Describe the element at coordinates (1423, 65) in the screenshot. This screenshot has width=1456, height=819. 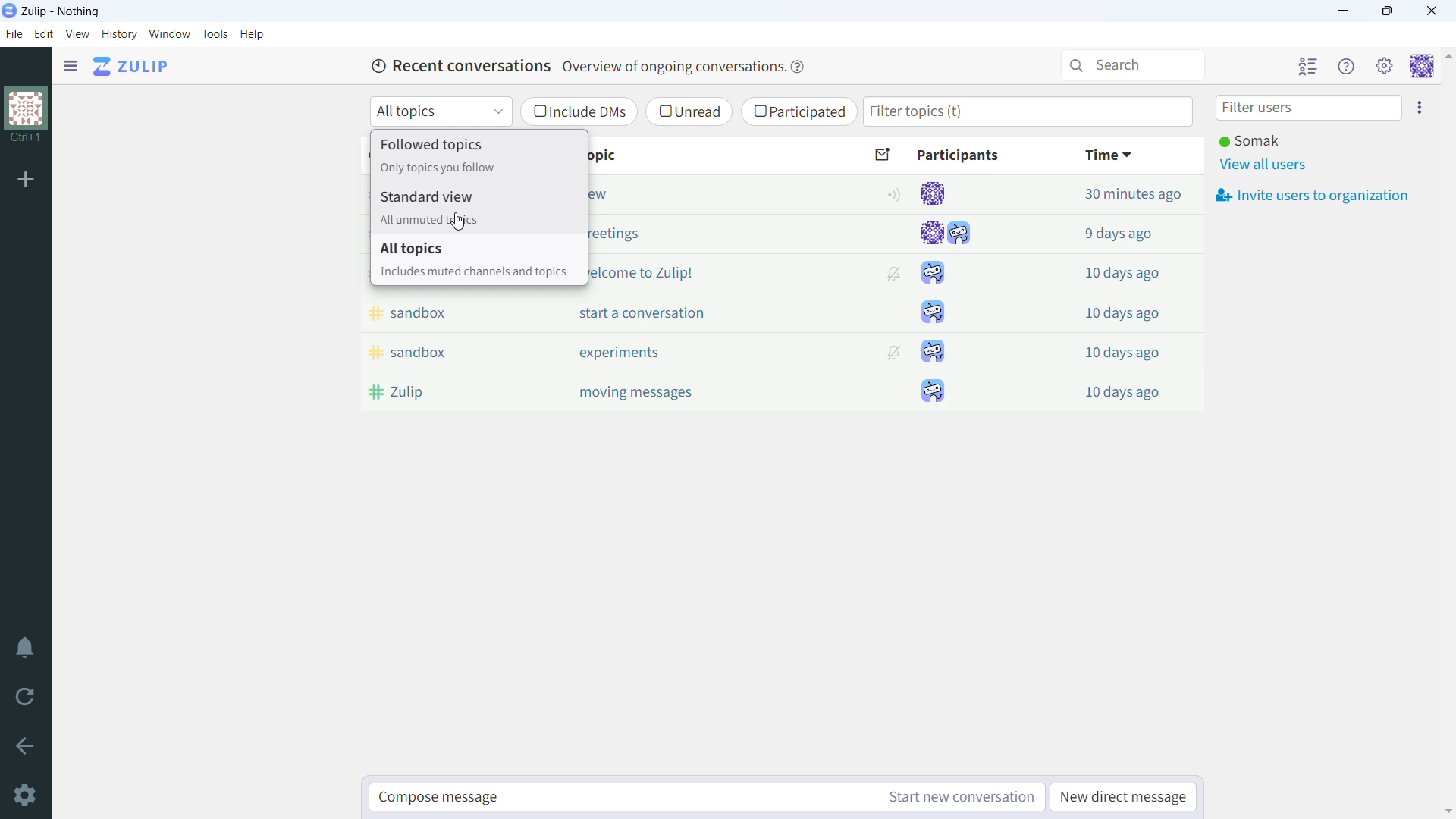
I see `personal menu` at that location.